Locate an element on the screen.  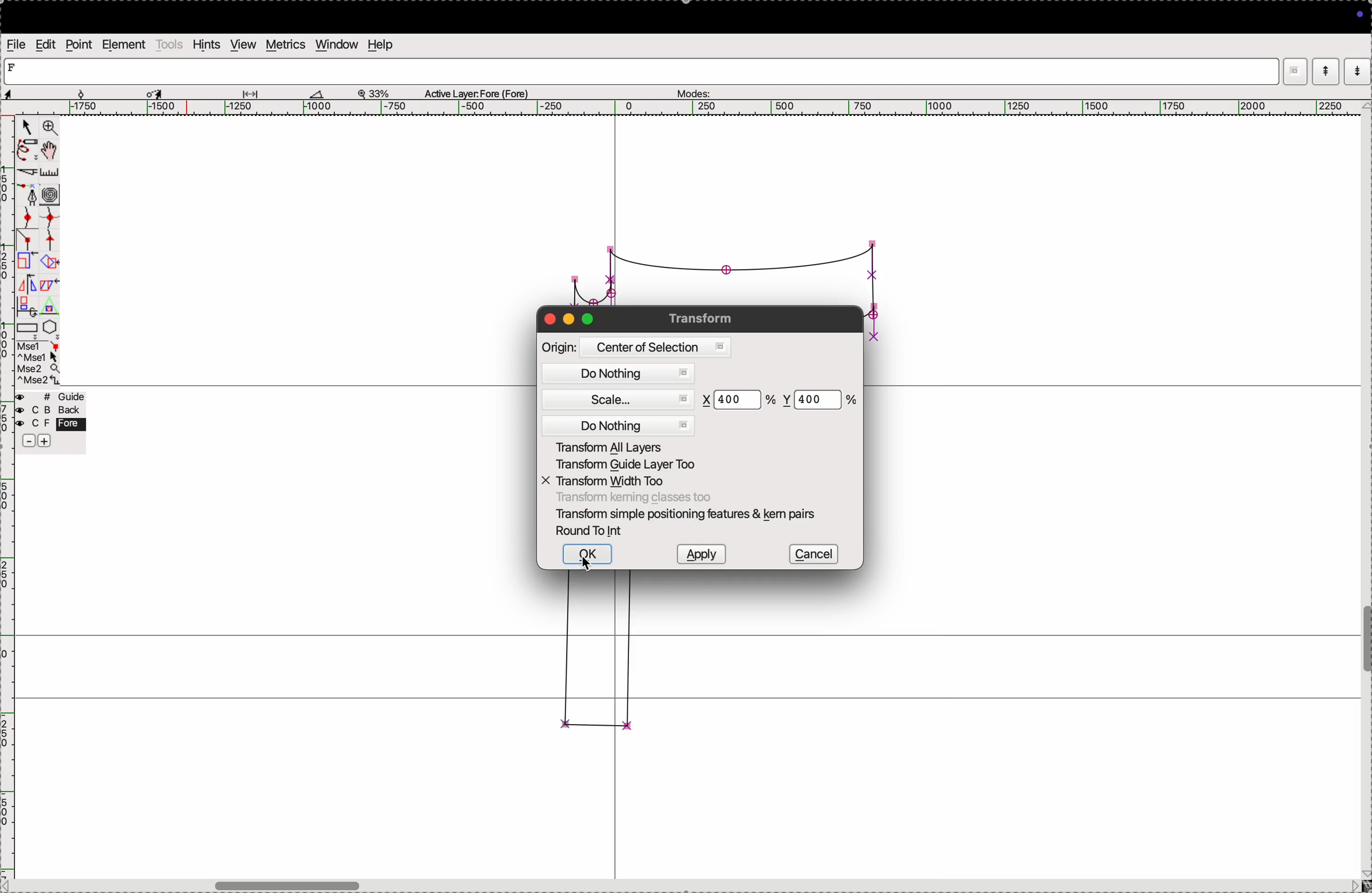
duplicate is located at coordinates (24, 307).